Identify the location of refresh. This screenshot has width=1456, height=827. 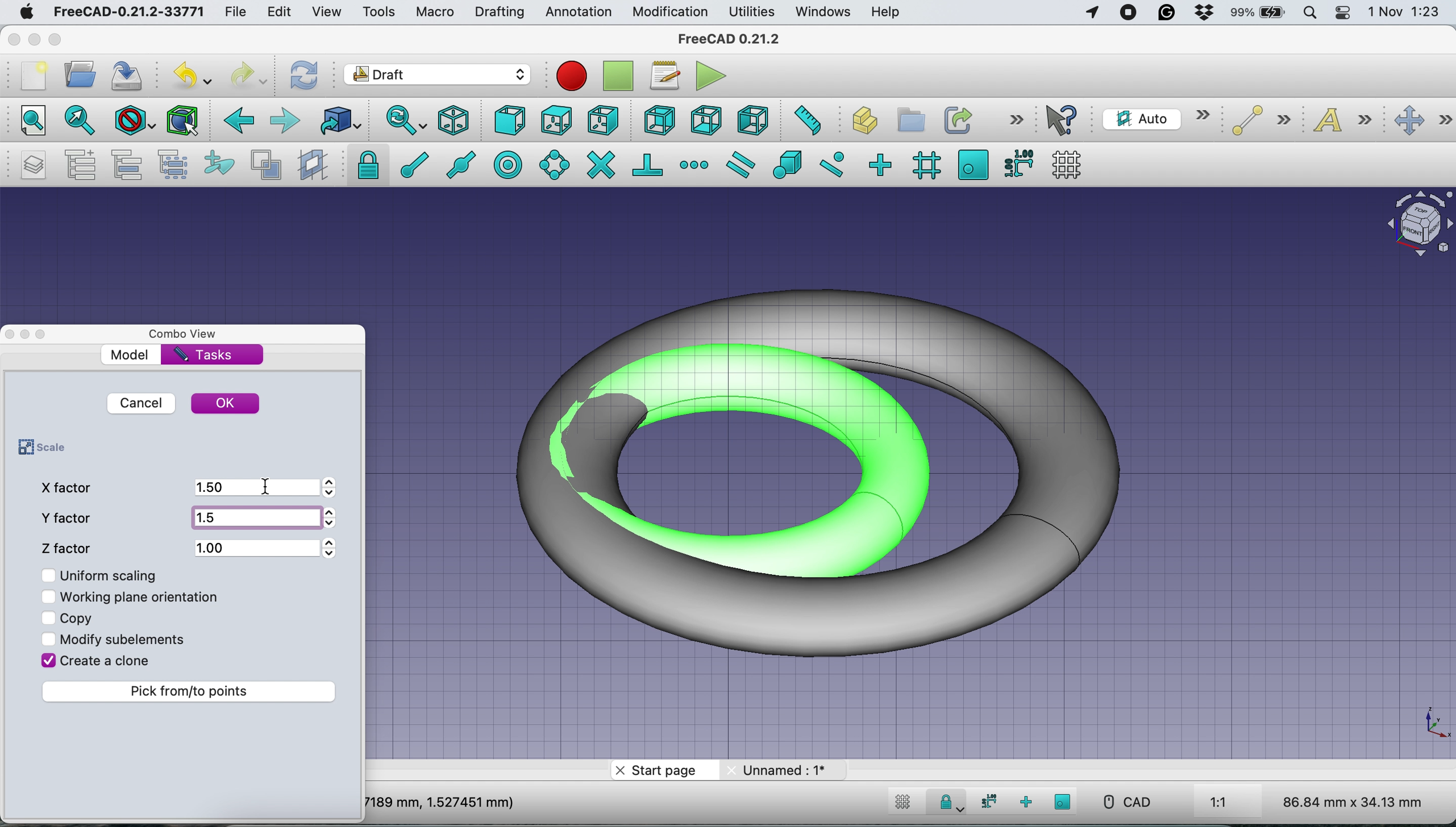
(305, 76).